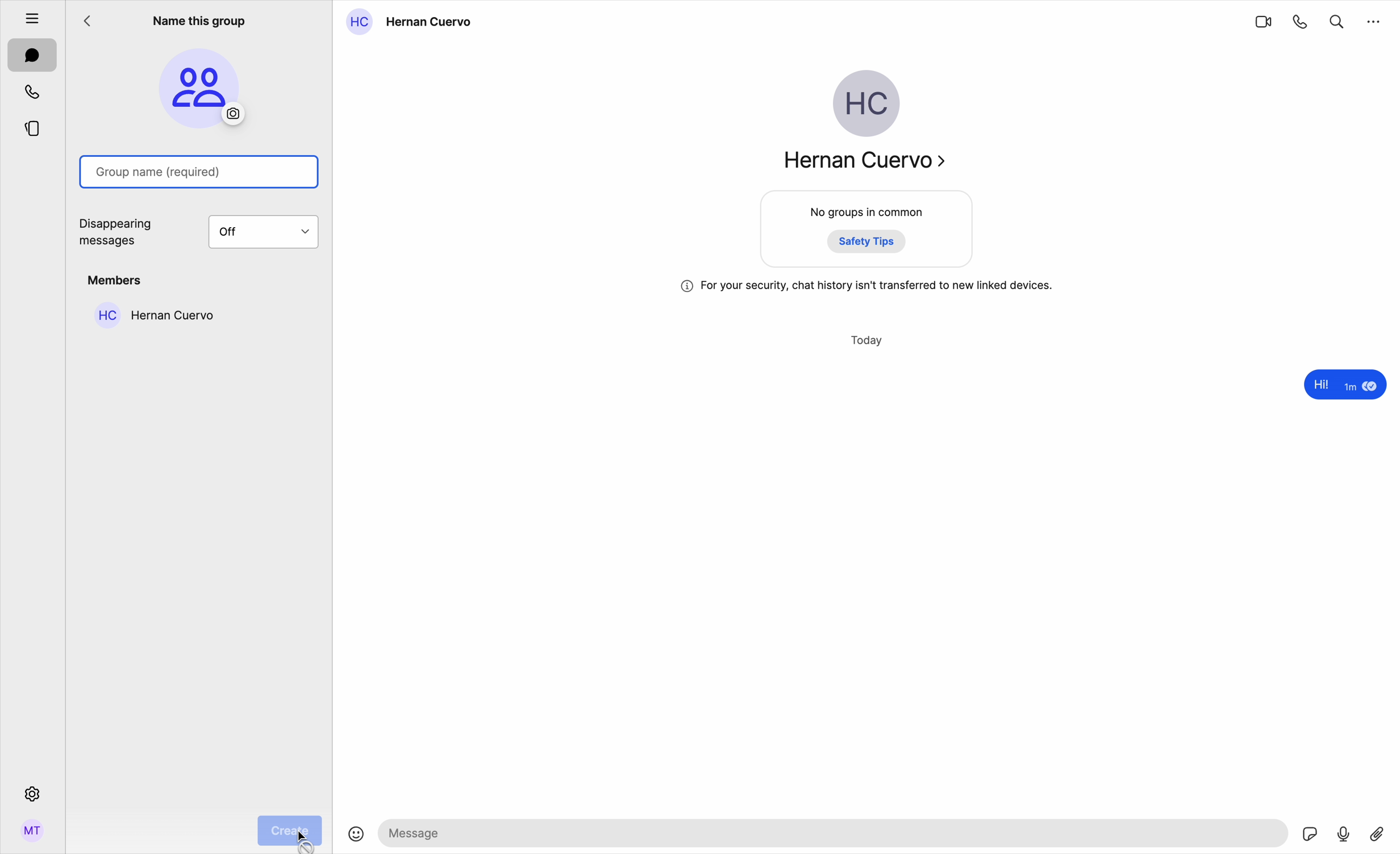 This screenshot has height=854, width=1400. Describe the element at coordinates (31, 793) in the screenshot. I see `settings` at that location.